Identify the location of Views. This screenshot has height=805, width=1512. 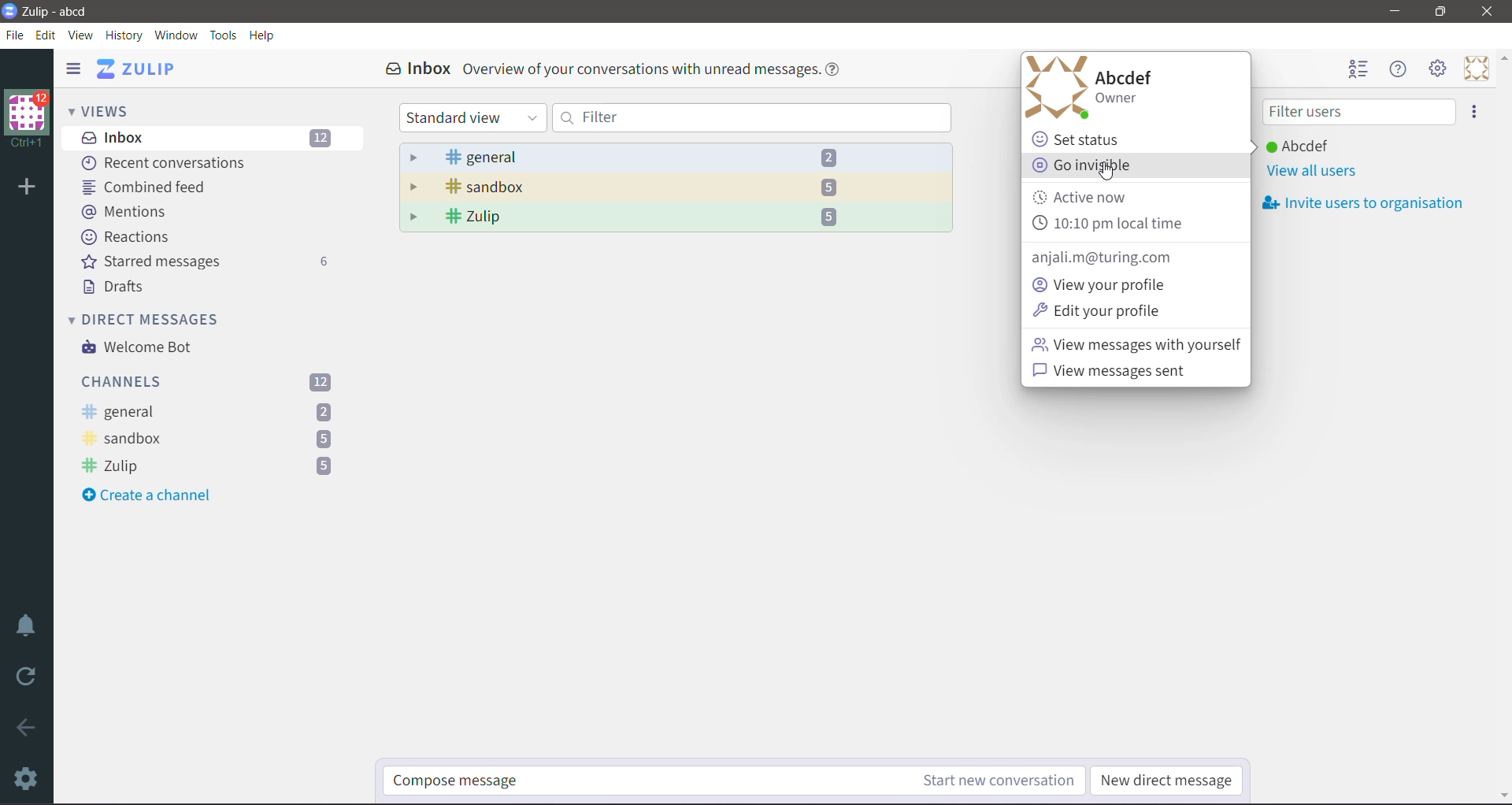
(105, 110).